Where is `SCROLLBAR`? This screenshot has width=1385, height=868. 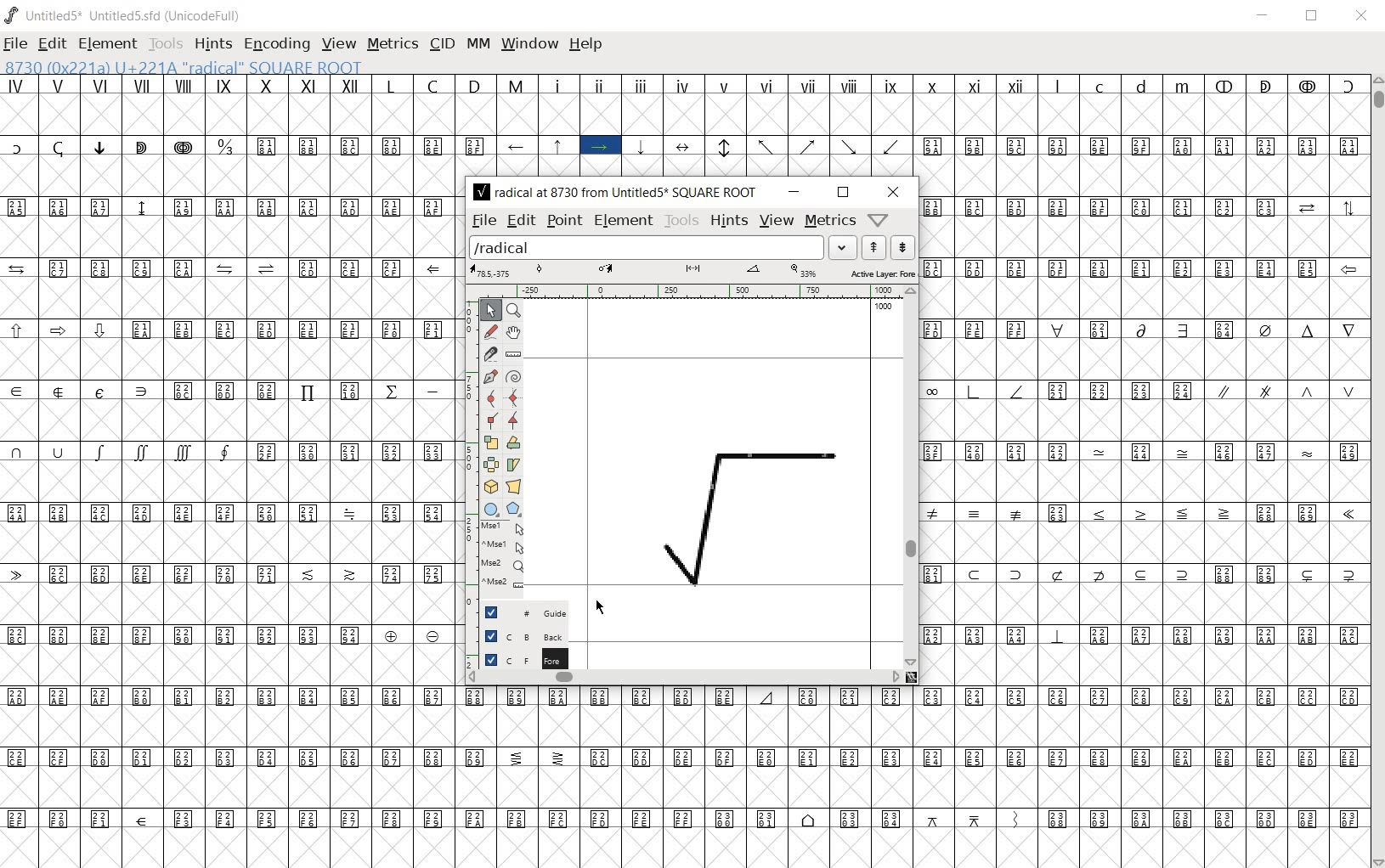 SCROLLBAR is located at coordinates (1377, 471).